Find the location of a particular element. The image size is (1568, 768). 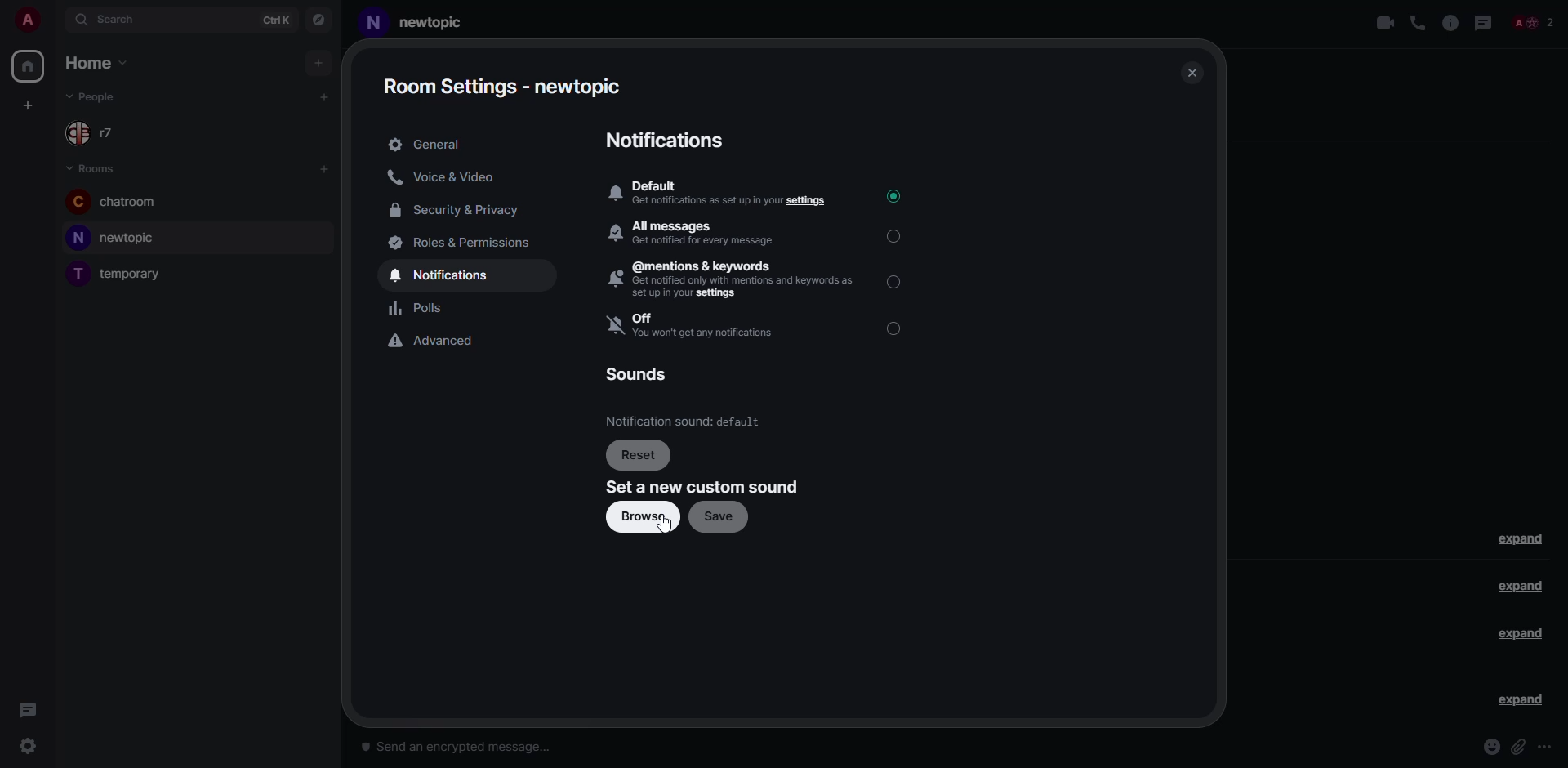

attach is located at coordinates (1519, 747).